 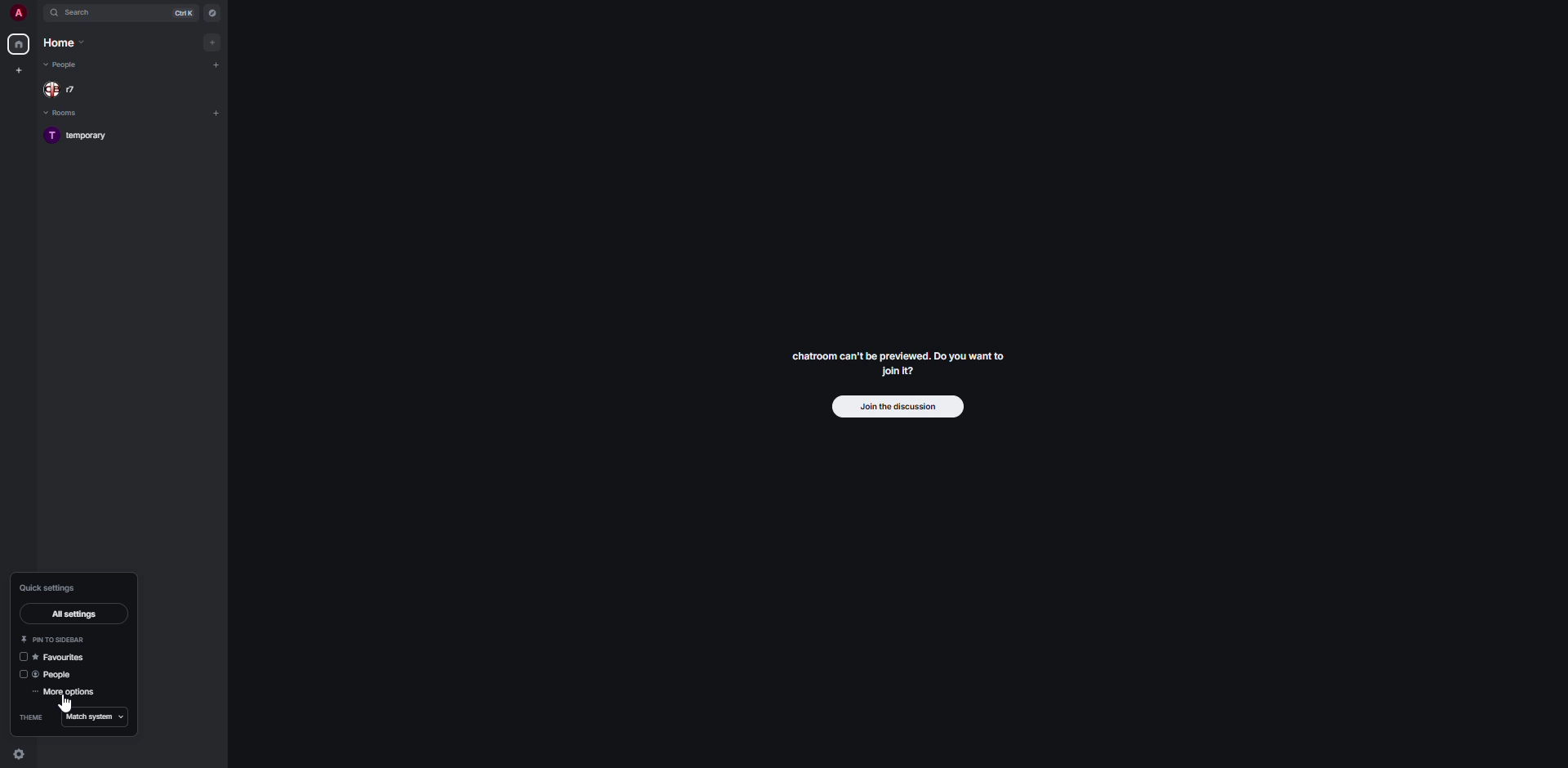 What do you see at coordinates (18, 46) in the screenshot?
I see `home` at bounding box center [18, 46].